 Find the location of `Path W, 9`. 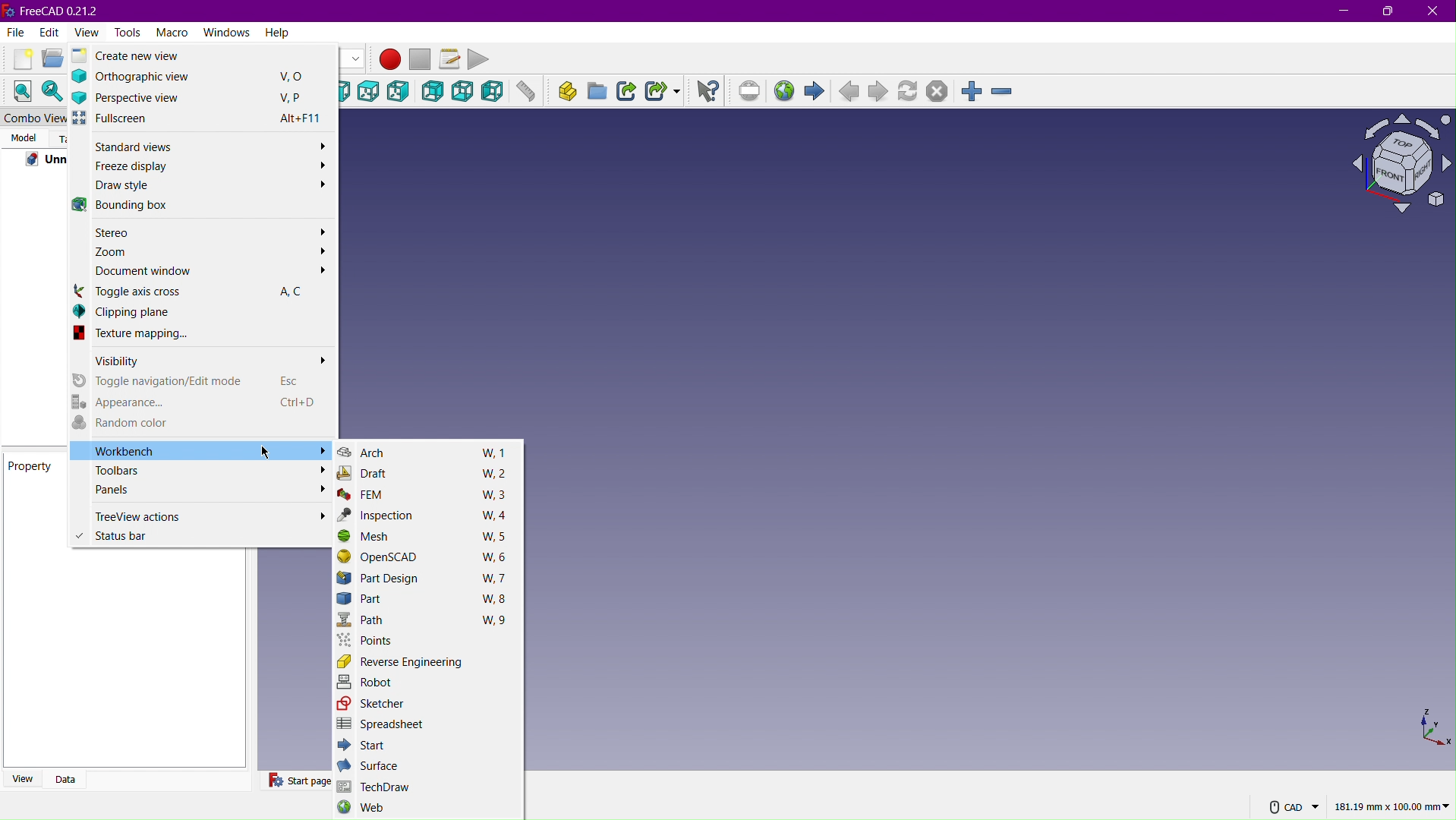

Path W, 9 is located at coordinates (428, 619).